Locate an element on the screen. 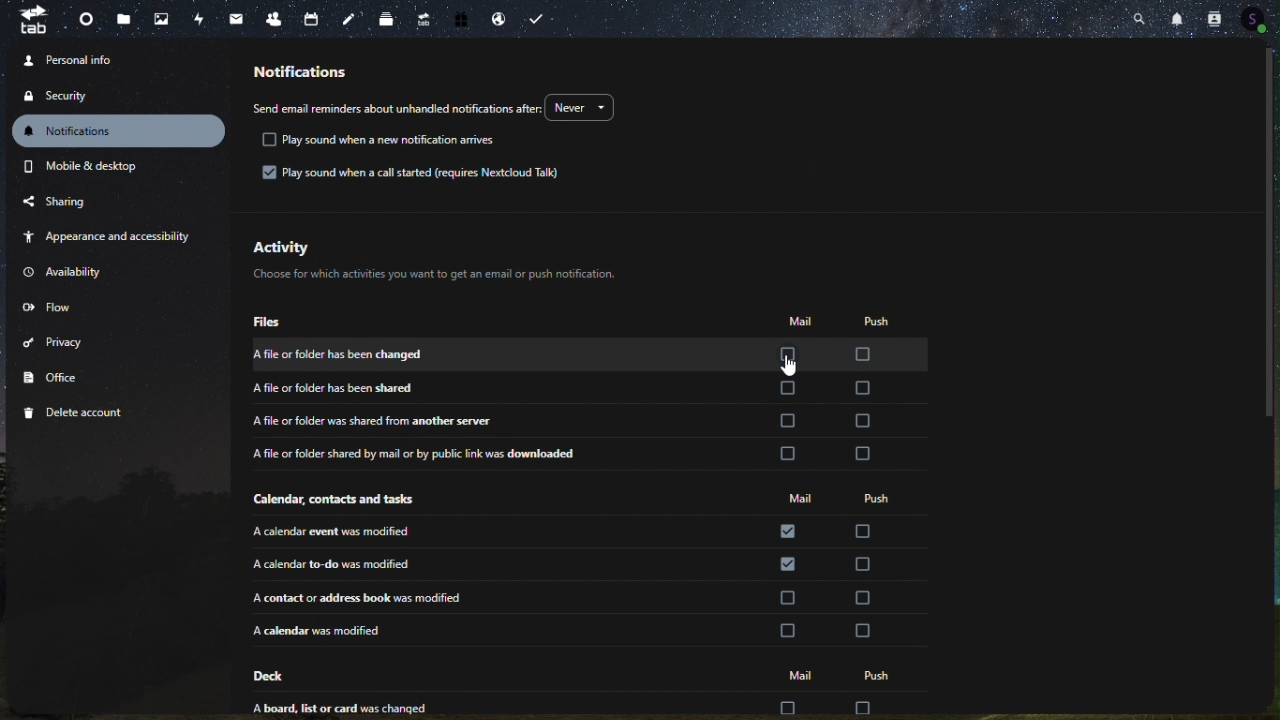  tab is located at coordinates (32, 20).